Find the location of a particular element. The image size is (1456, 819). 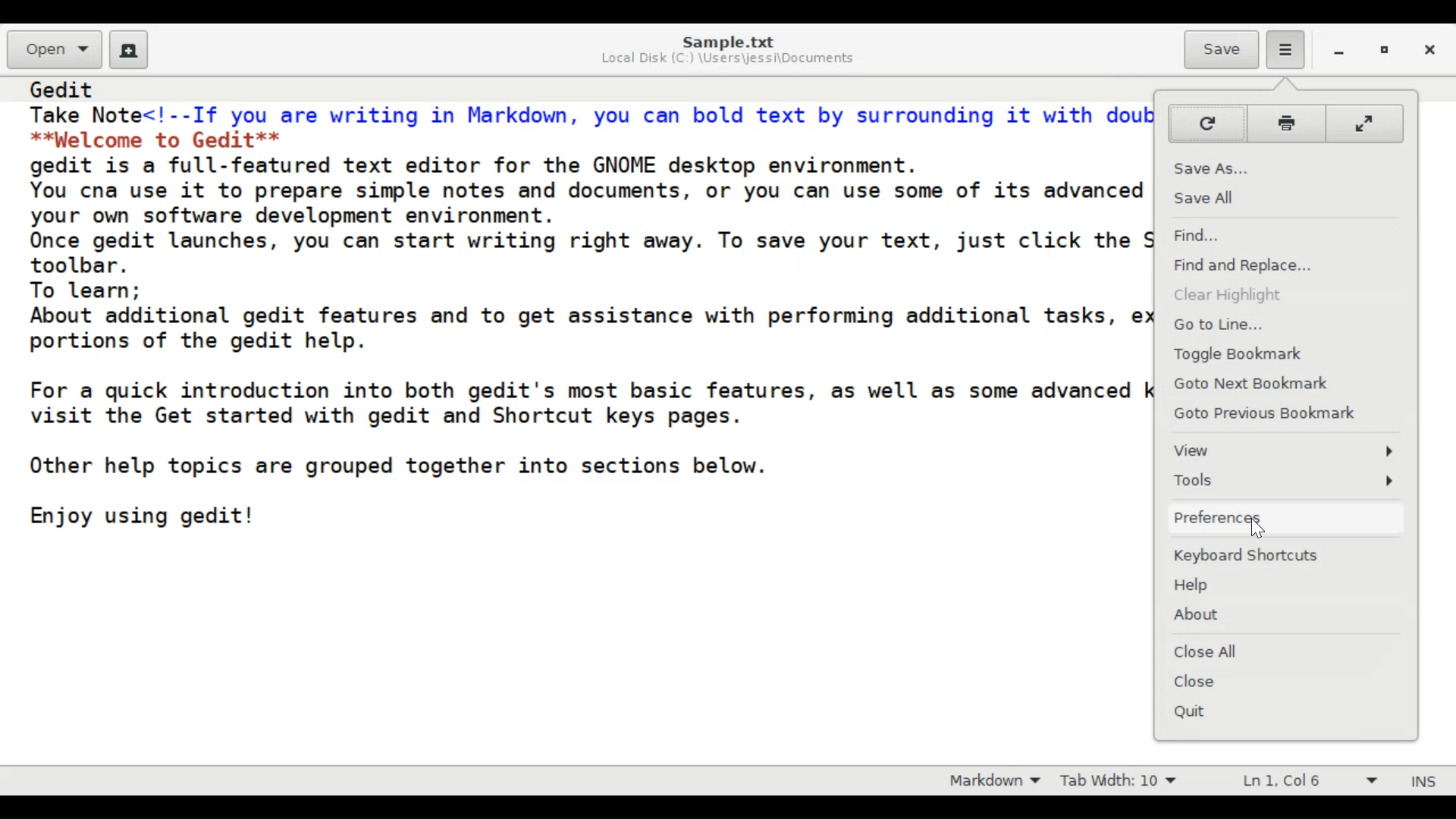

Save All is located at coordinates (1214, 197).